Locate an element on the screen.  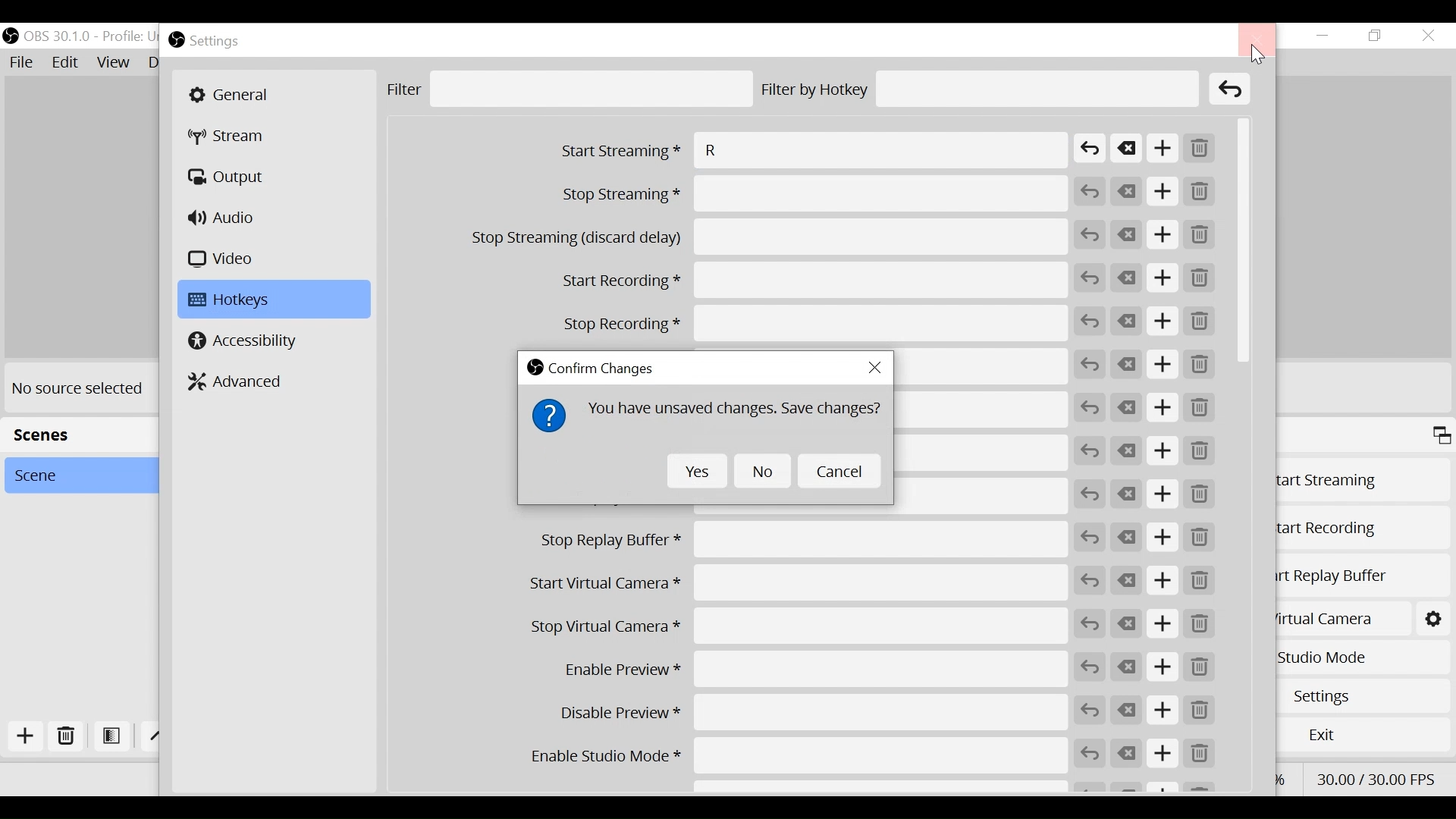
Stop Streaming (discard delay) is located at coordinates (770, 237).